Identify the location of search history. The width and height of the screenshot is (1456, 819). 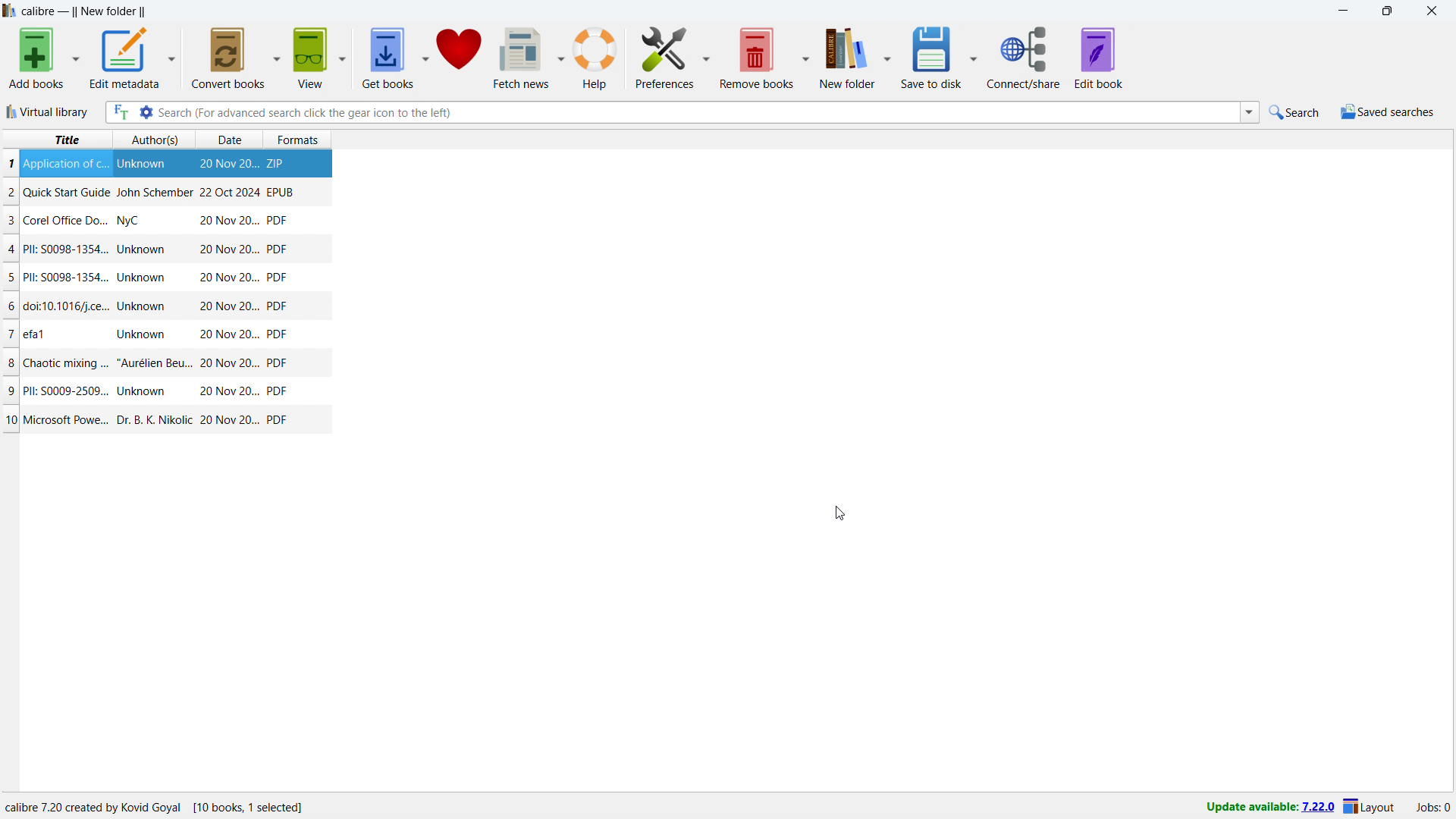
(1250, 113).